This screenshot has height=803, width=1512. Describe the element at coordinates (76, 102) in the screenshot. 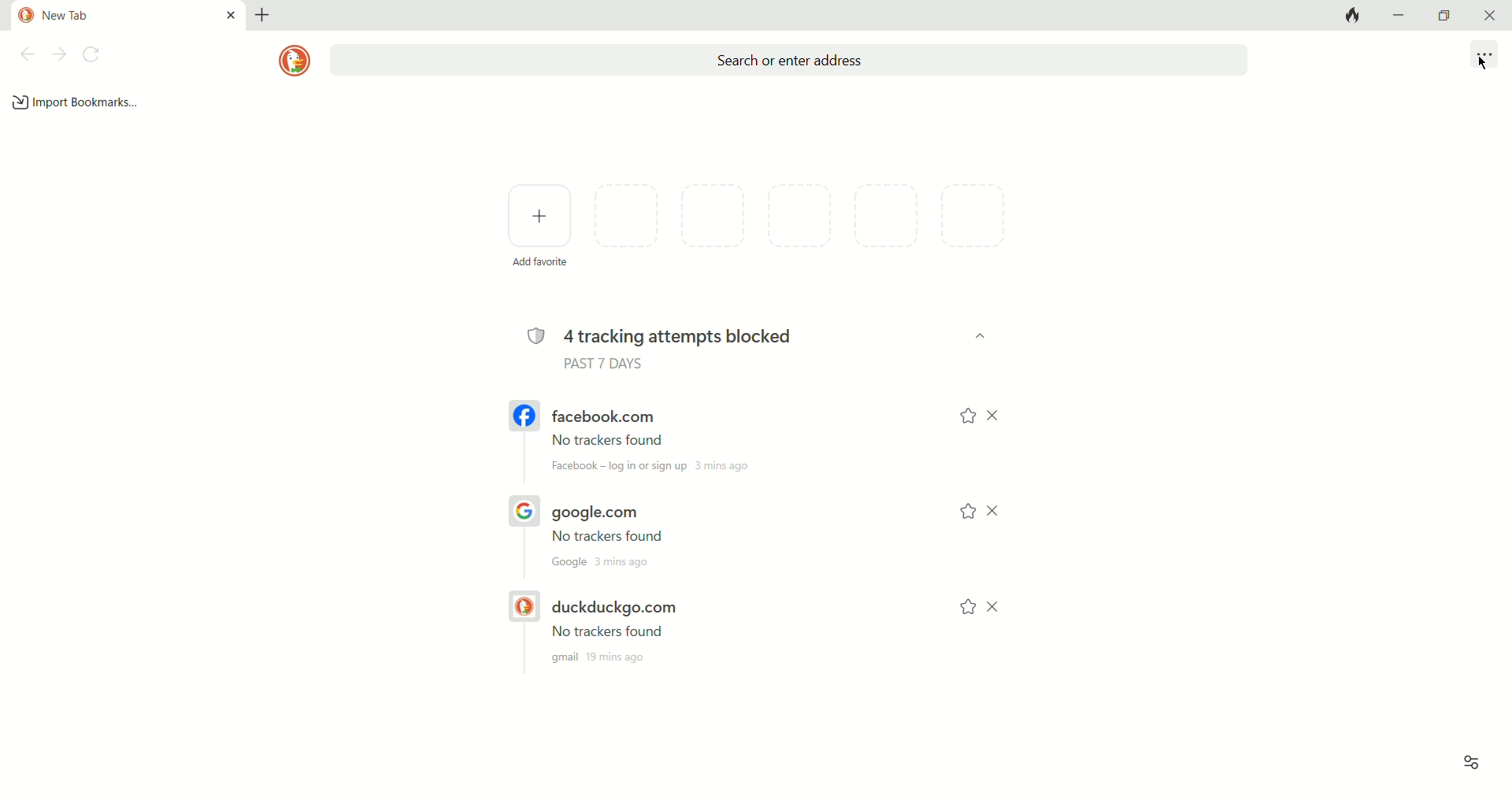

I see `import bookmarks` at that location.